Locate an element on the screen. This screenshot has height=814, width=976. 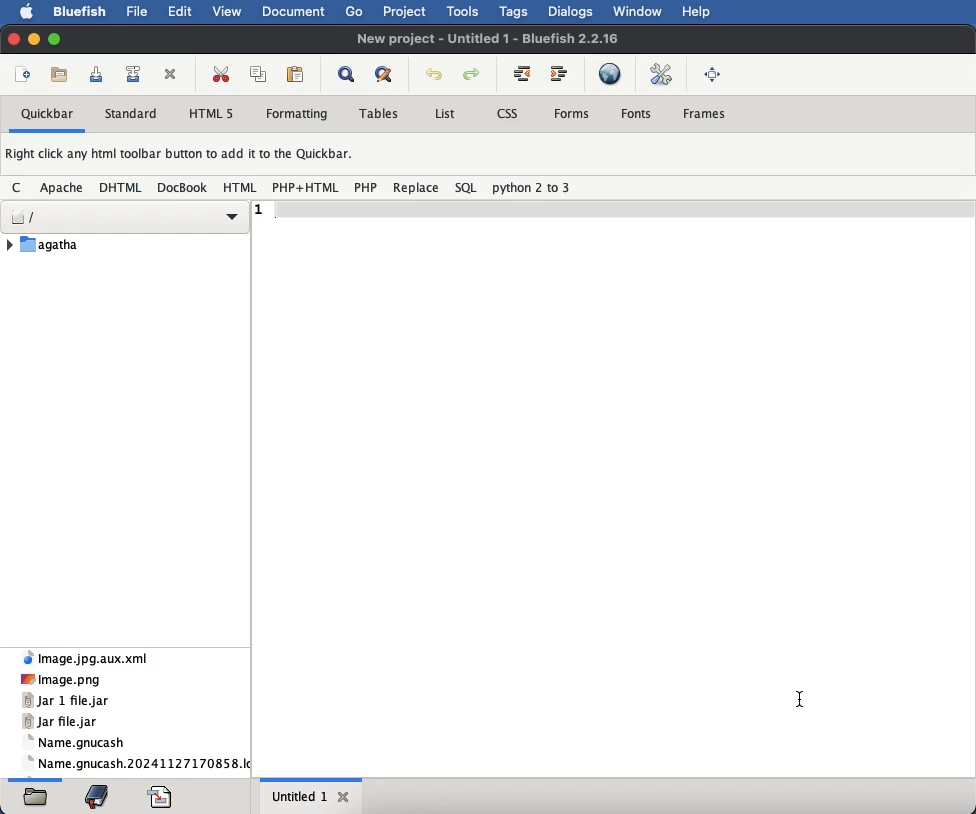
close current file is located at coordinates (172, 75).